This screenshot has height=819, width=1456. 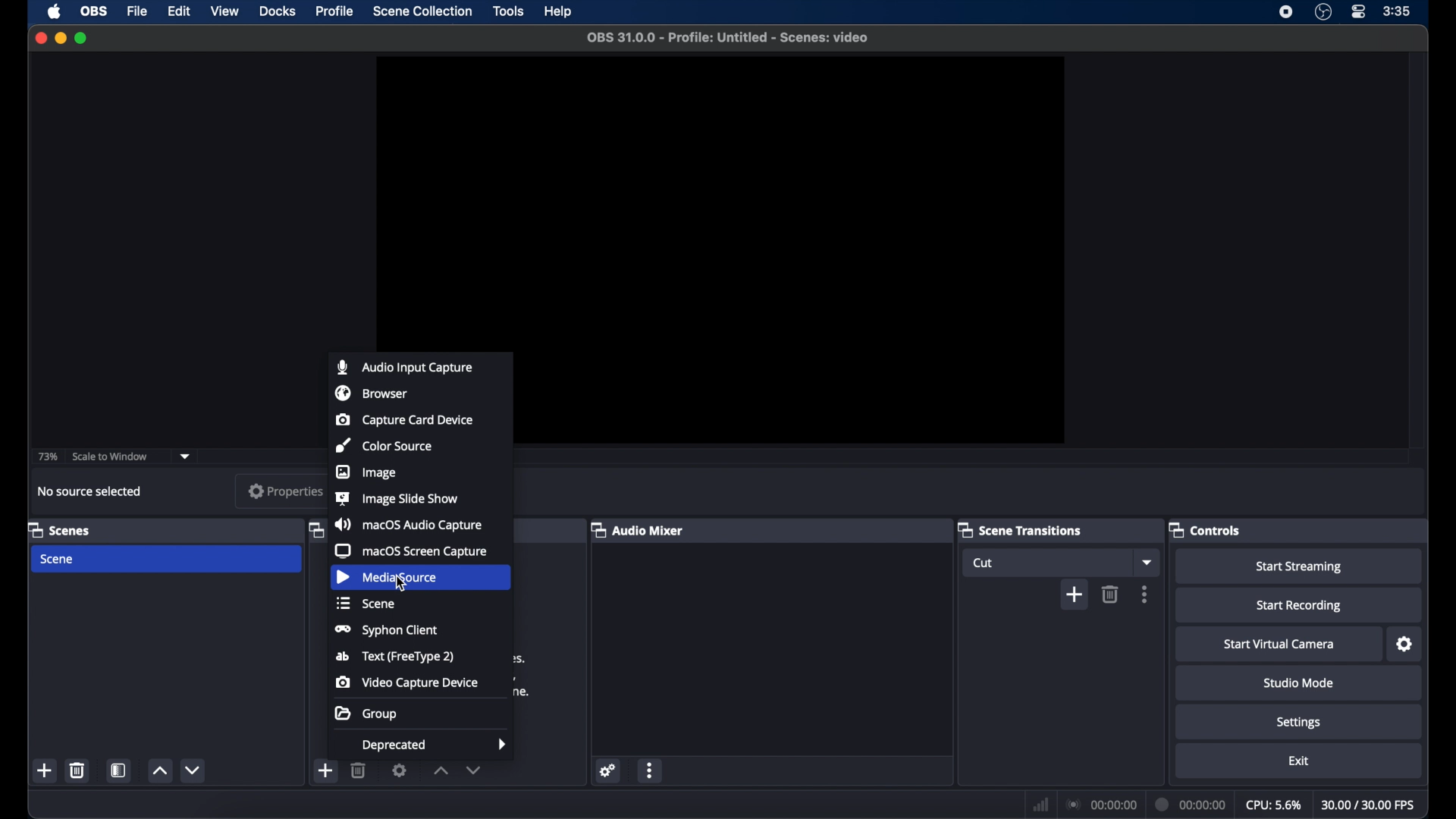 I want to click on scene, so click(x=58, y=559).